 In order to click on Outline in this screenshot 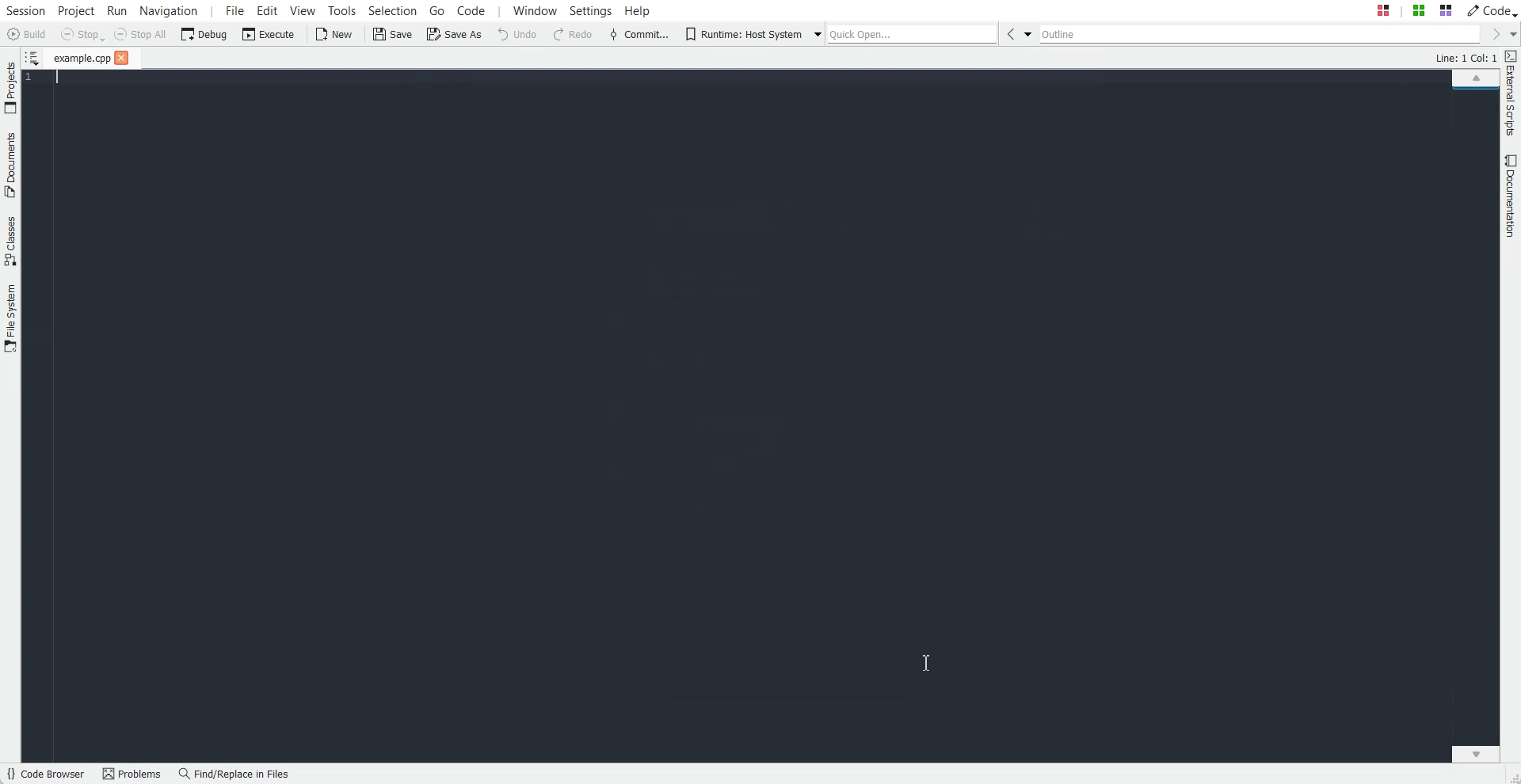, I will do `click(1258, 34)`.